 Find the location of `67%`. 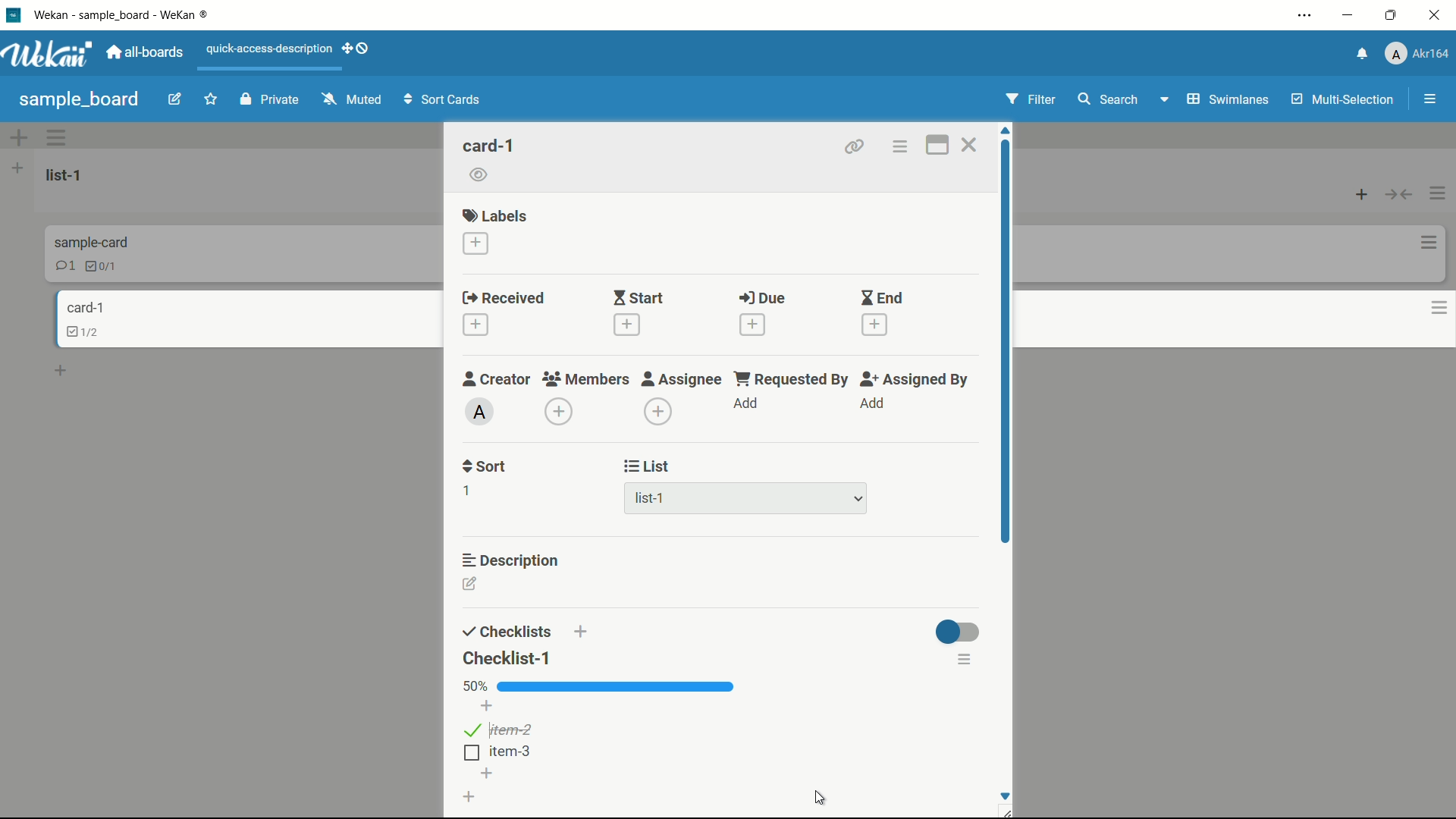

67% is located at coordinates (475, 687).